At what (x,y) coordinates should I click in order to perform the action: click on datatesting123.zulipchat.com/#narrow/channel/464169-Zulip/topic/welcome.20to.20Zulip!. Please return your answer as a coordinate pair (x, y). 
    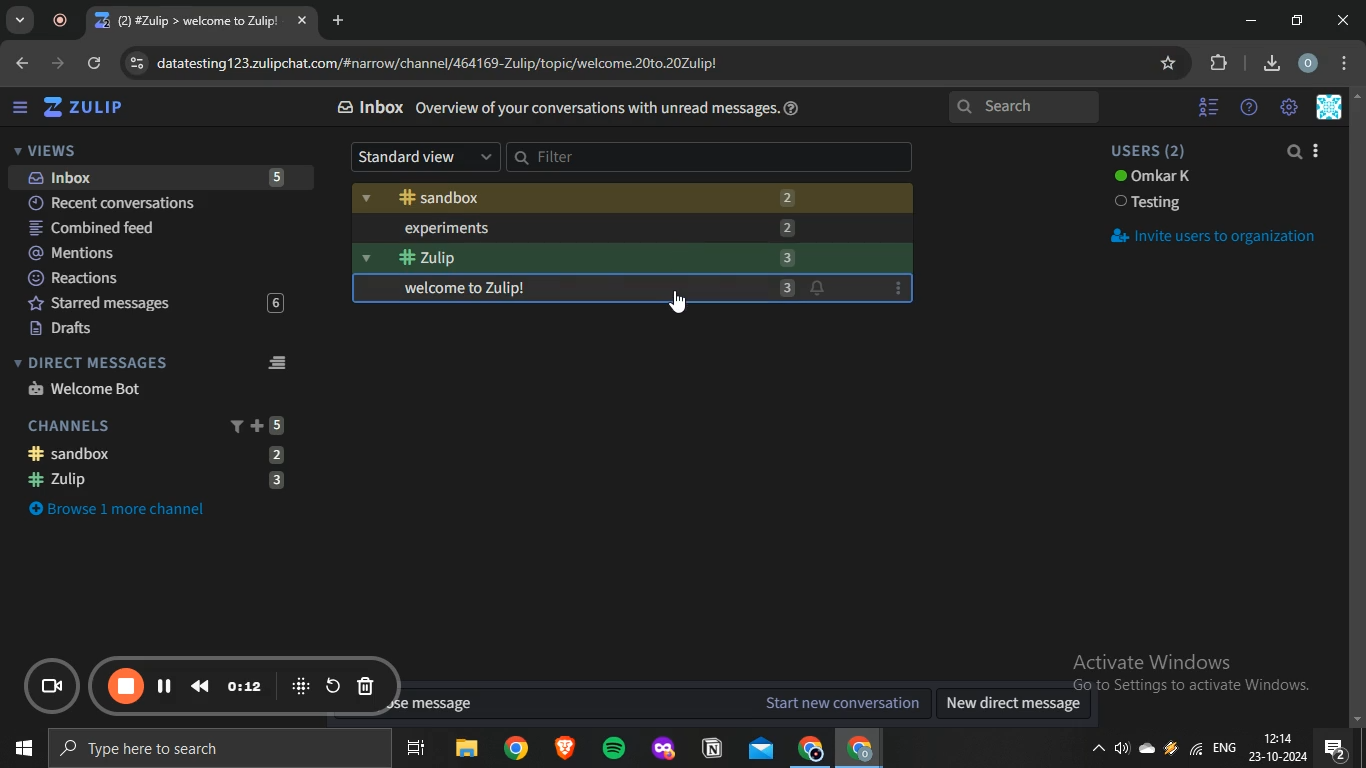
    Looking at the image, I should click on (429, 61).